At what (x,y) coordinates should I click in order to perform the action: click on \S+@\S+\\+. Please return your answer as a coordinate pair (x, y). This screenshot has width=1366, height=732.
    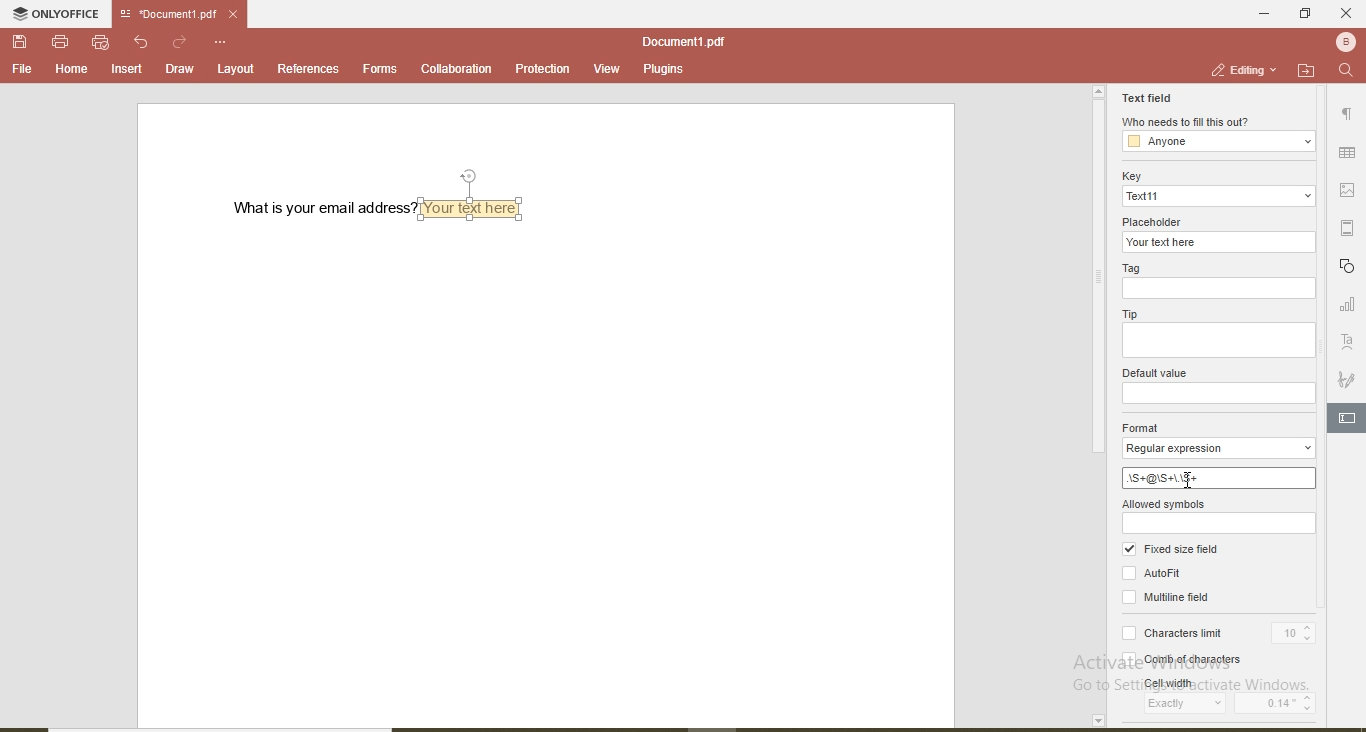
    Looking at the image, I should click on (1210, 478).